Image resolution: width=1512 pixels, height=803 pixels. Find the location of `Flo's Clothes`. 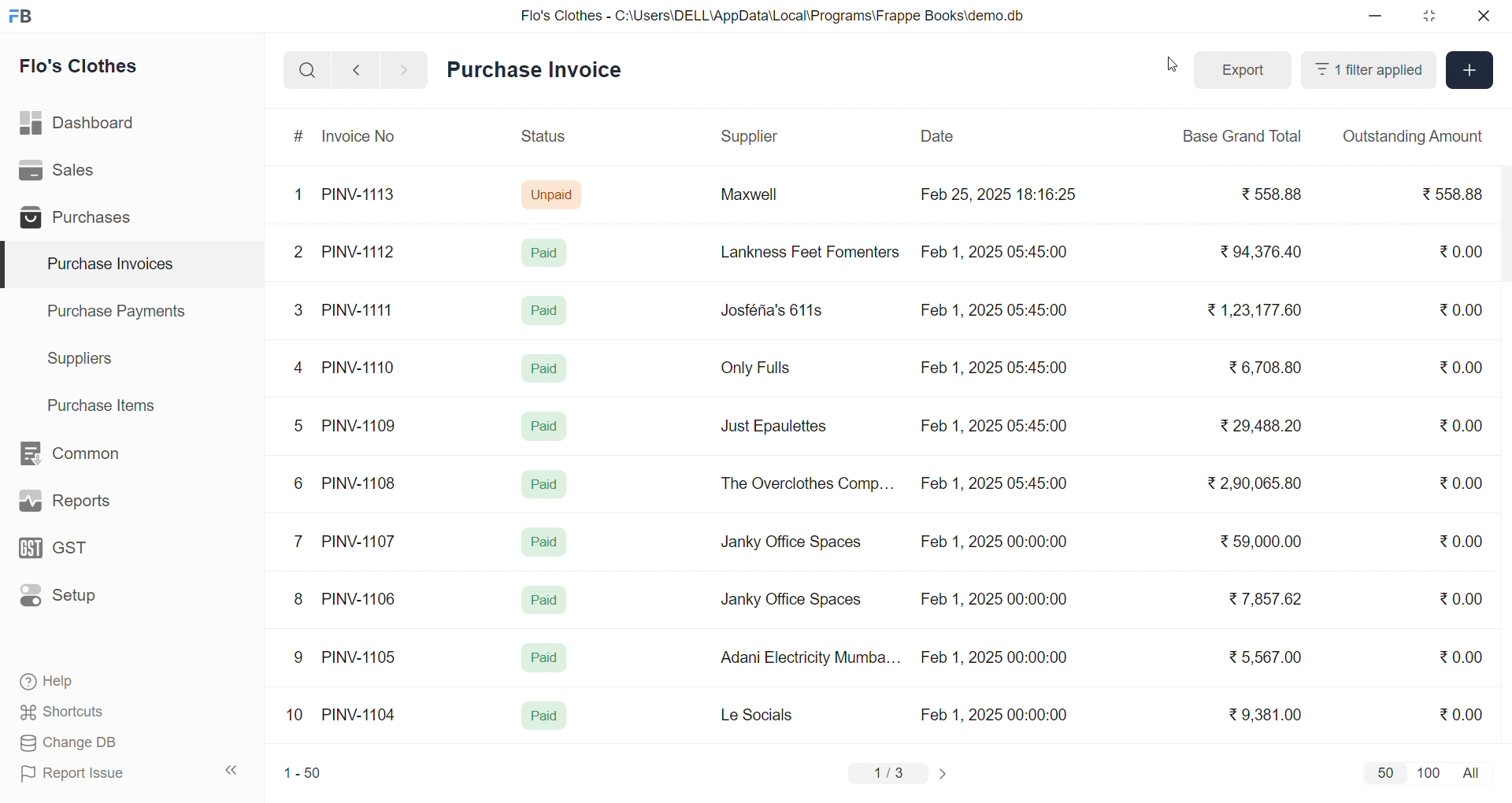

Flo's Clothes is located at coordinates (90, 68).